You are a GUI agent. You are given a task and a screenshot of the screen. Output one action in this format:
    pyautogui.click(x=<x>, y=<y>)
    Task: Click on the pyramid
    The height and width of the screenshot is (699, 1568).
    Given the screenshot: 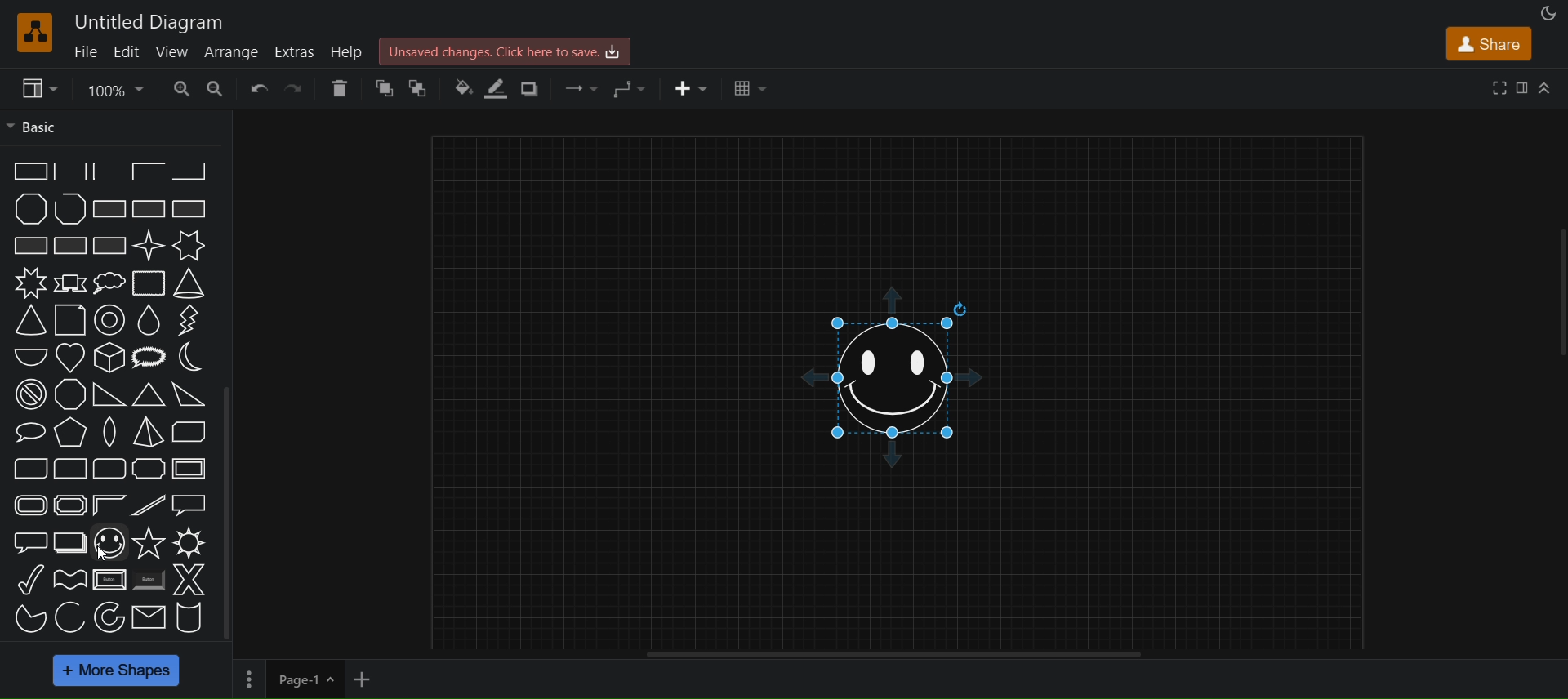 What is the action you would take?
    pyautogui.click(x=147, y=433)
    